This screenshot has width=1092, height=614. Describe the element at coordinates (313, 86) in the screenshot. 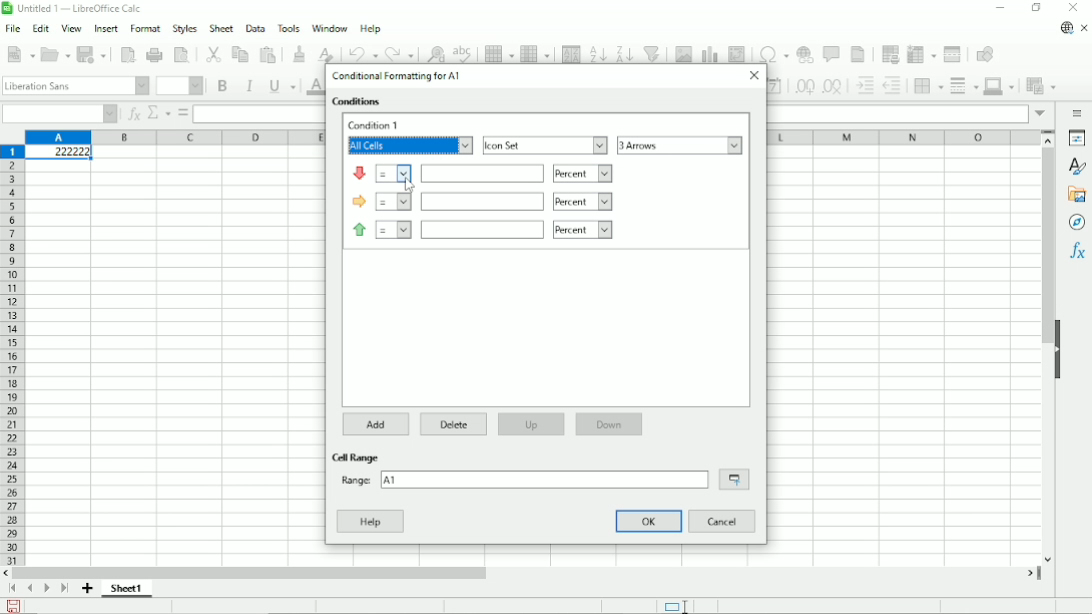

I see `Text color` at that location.